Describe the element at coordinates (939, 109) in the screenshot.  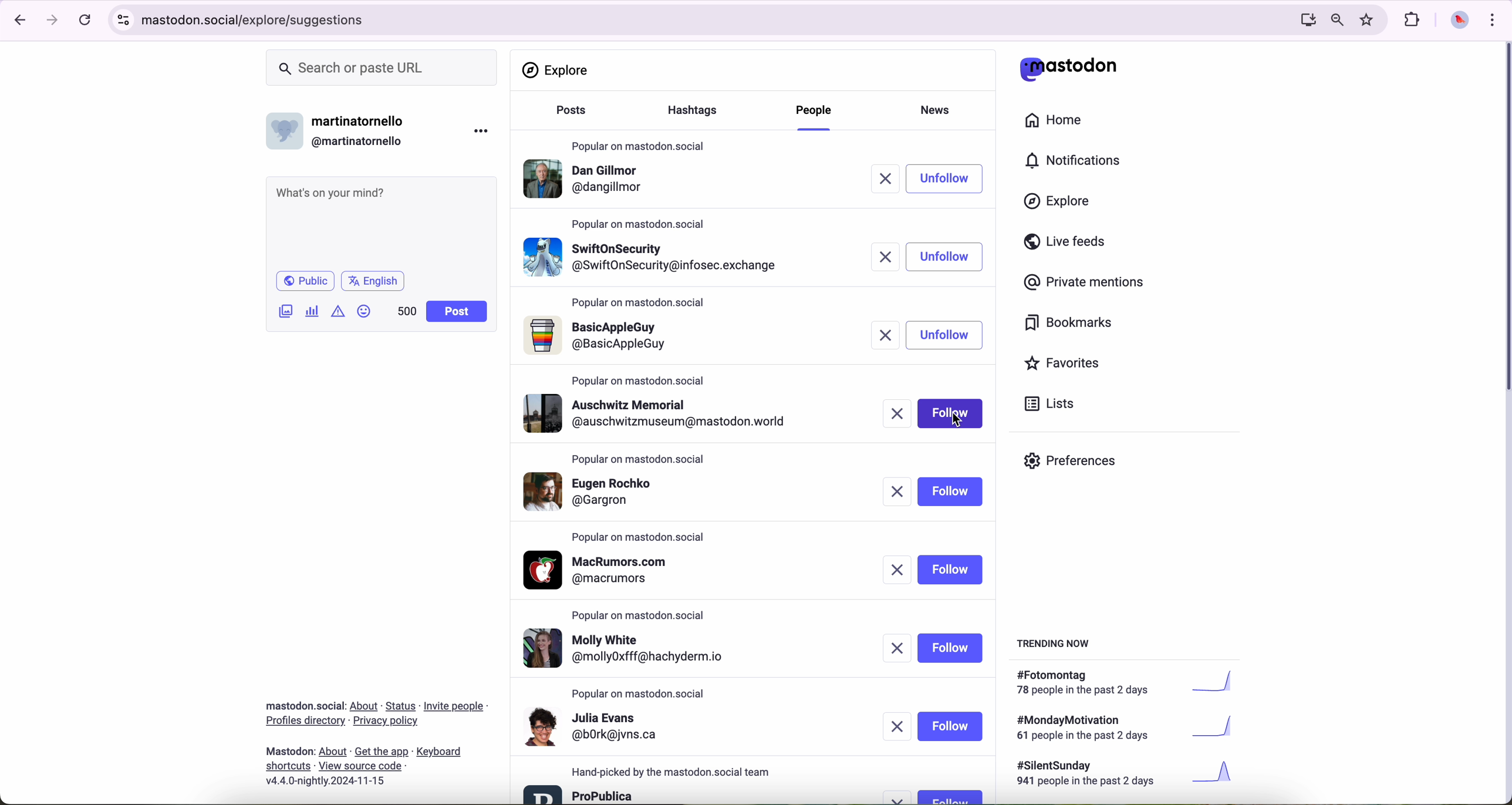
I see `news` at that location.